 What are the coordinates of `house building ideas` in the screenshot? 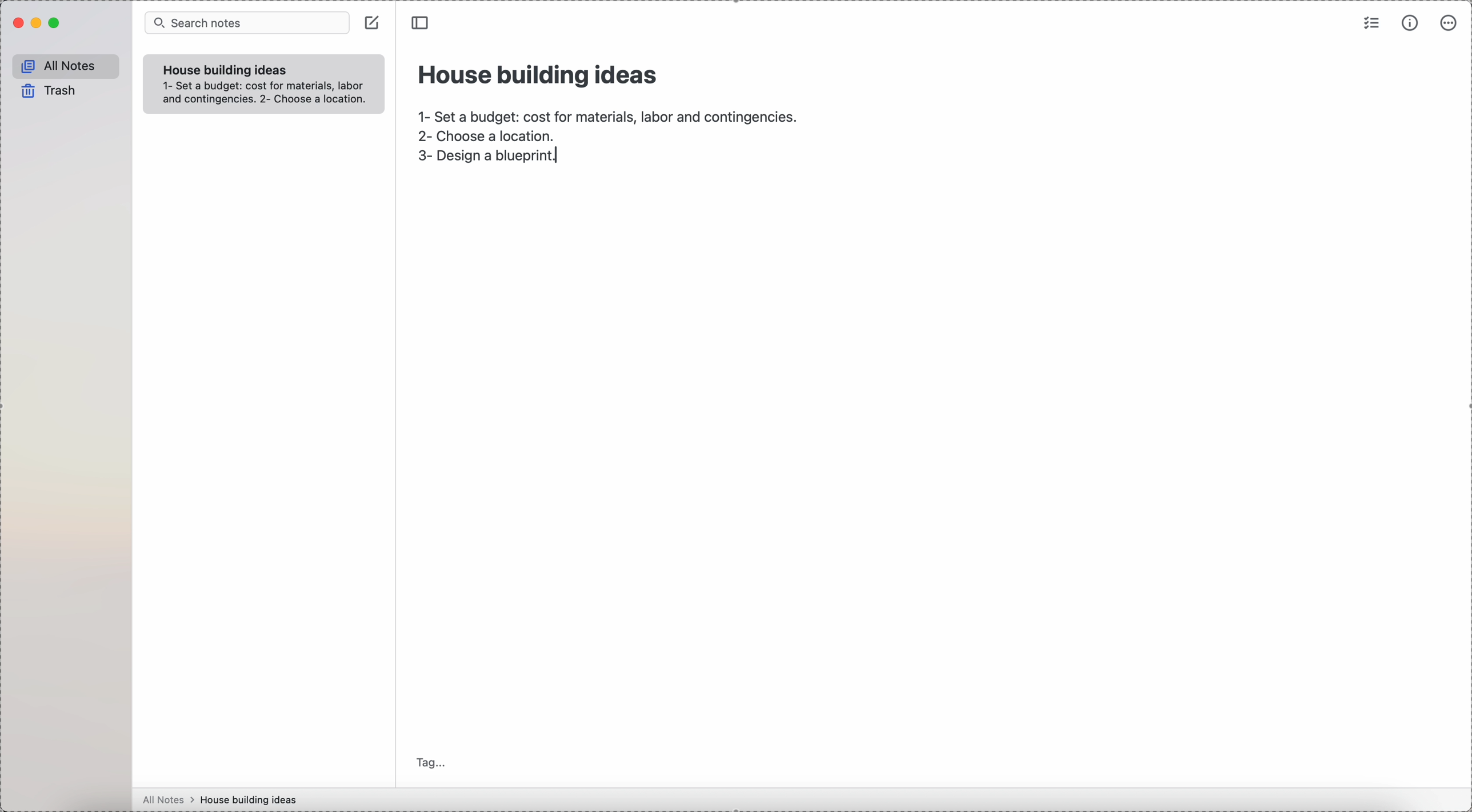 It's located at (252, 799).